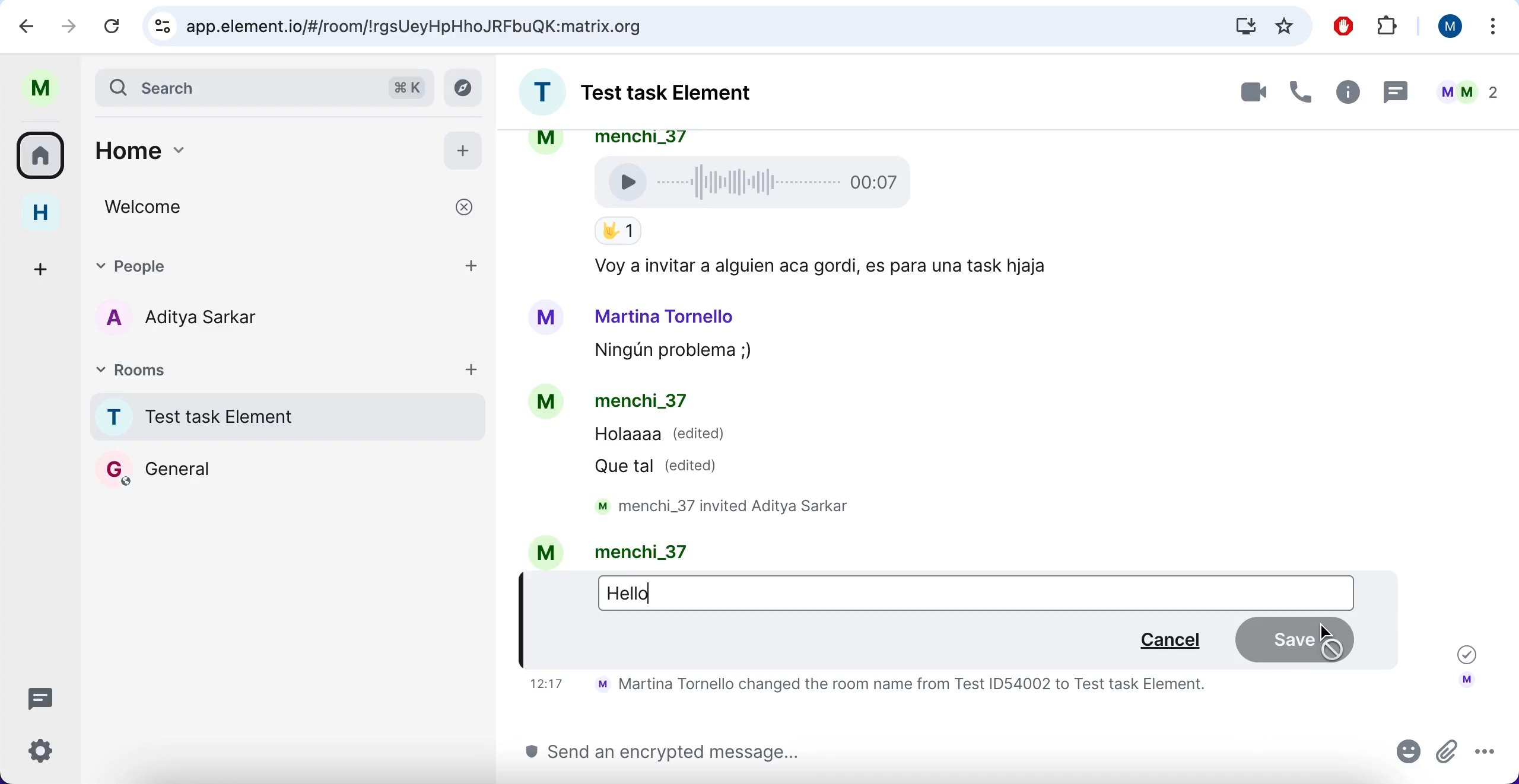 This screenshot has height=784, width=1519. Describe the element at coordinates (1348, 94) in the screenshot. I see `info` at that location.